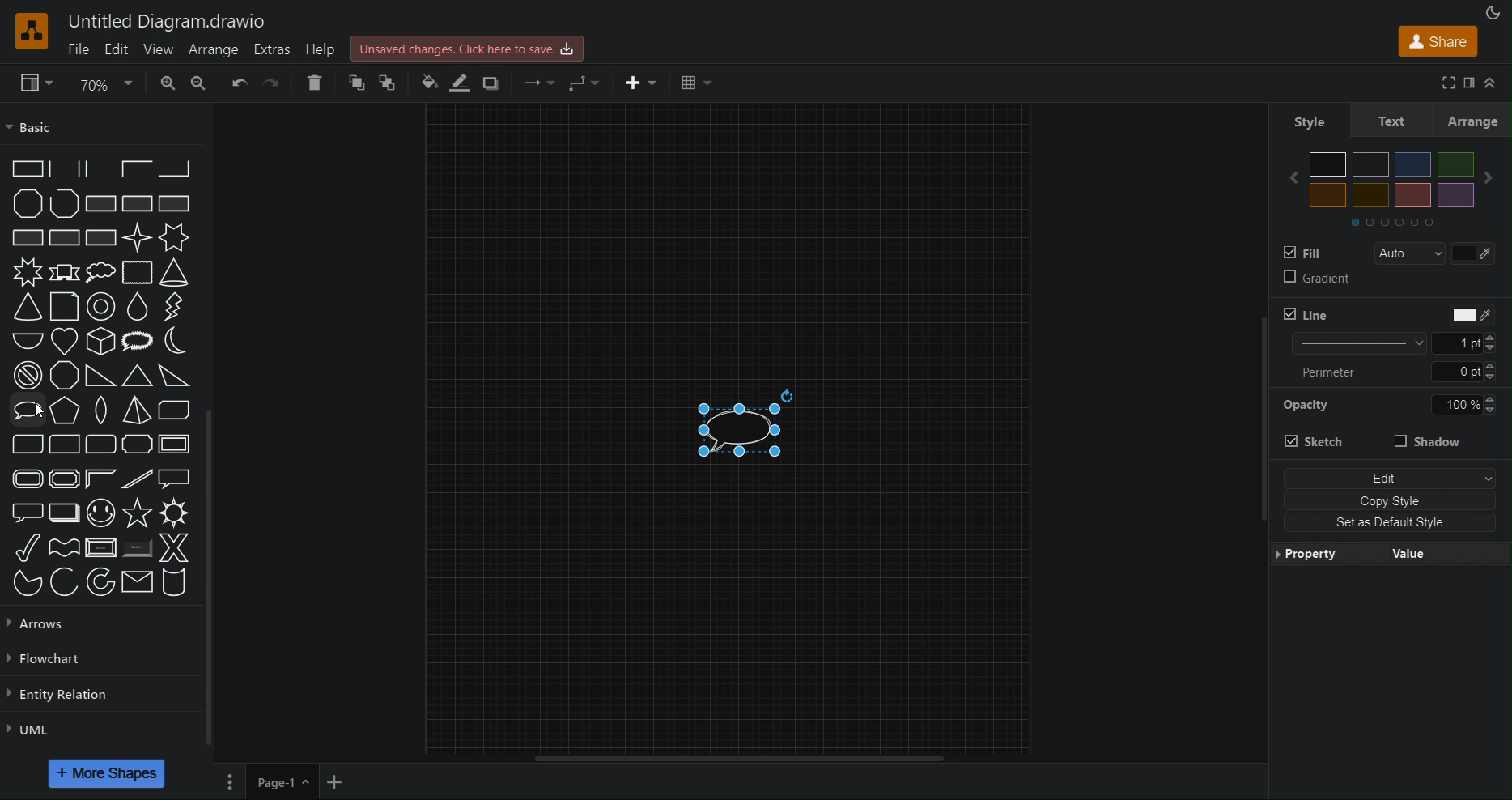 The width and height of the screenshot is (1512, 800). What do you see at coordinates (1497, 83) in the screenshot?
I see `Collapse` at bounding box center [1497, 83].